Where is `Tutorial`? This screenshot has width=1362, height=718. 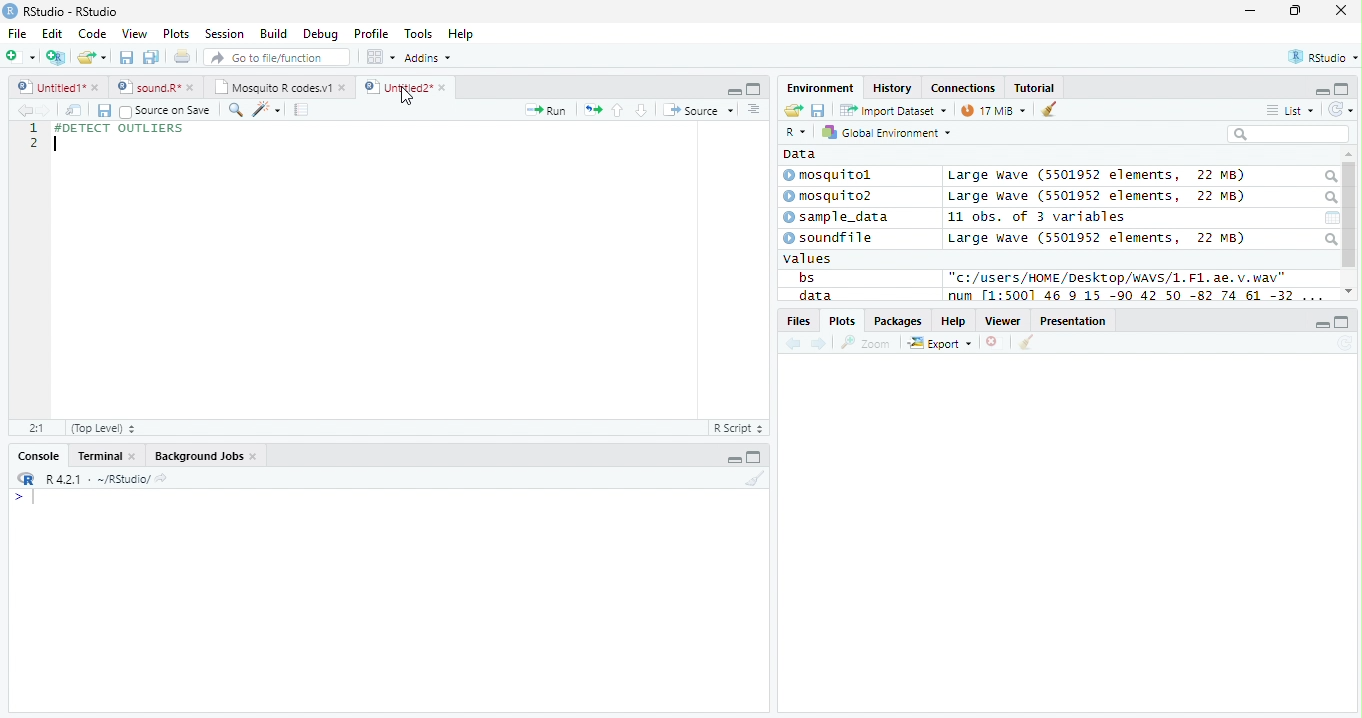
Tutorial is located at coordinates (1035, 89).